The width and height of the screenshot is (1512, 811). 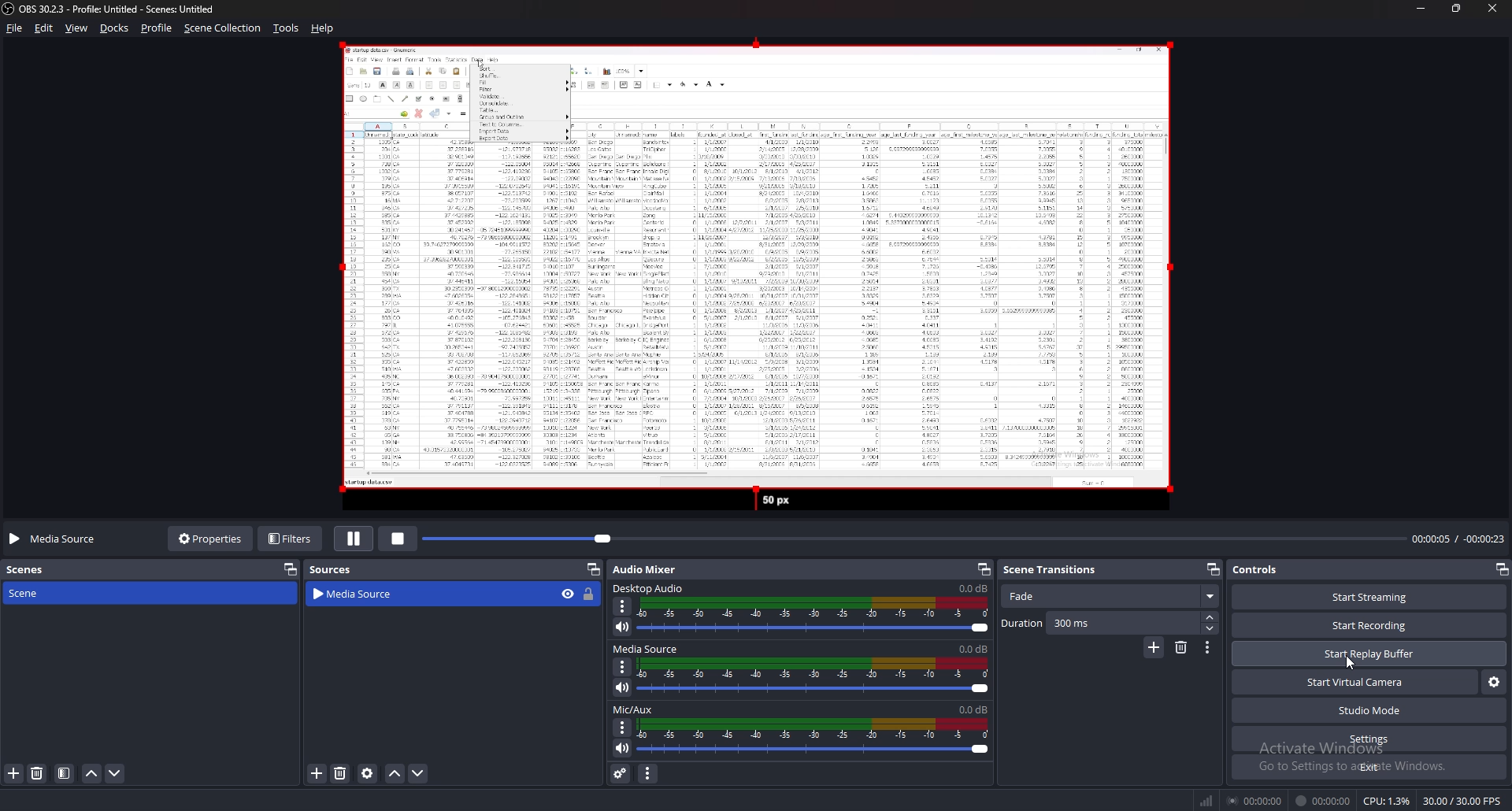 What do you see at coordinates (208, 540) in the screenshot?
I see `properties` at bounding box center [208, 540].